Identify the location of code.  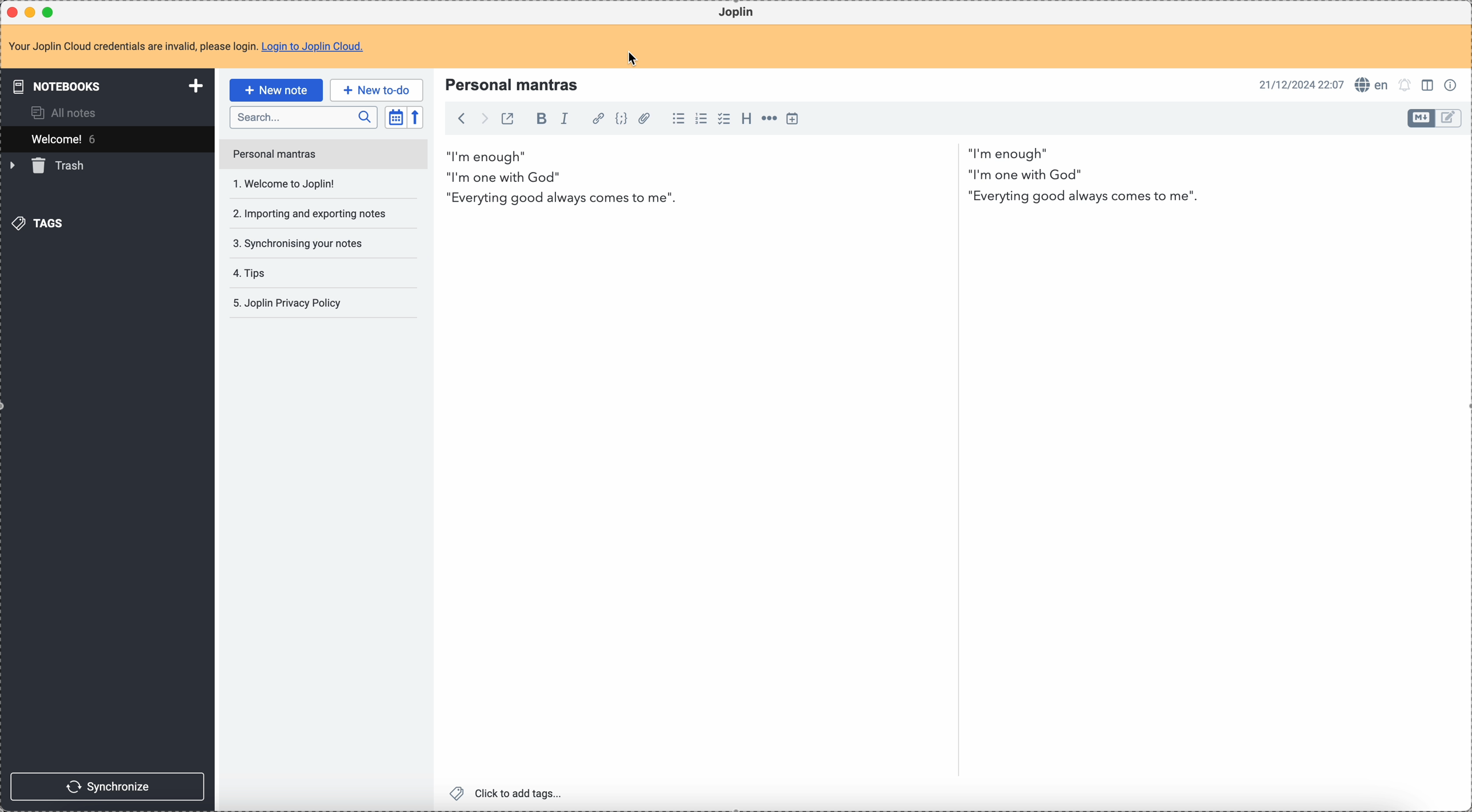
(622, 120).